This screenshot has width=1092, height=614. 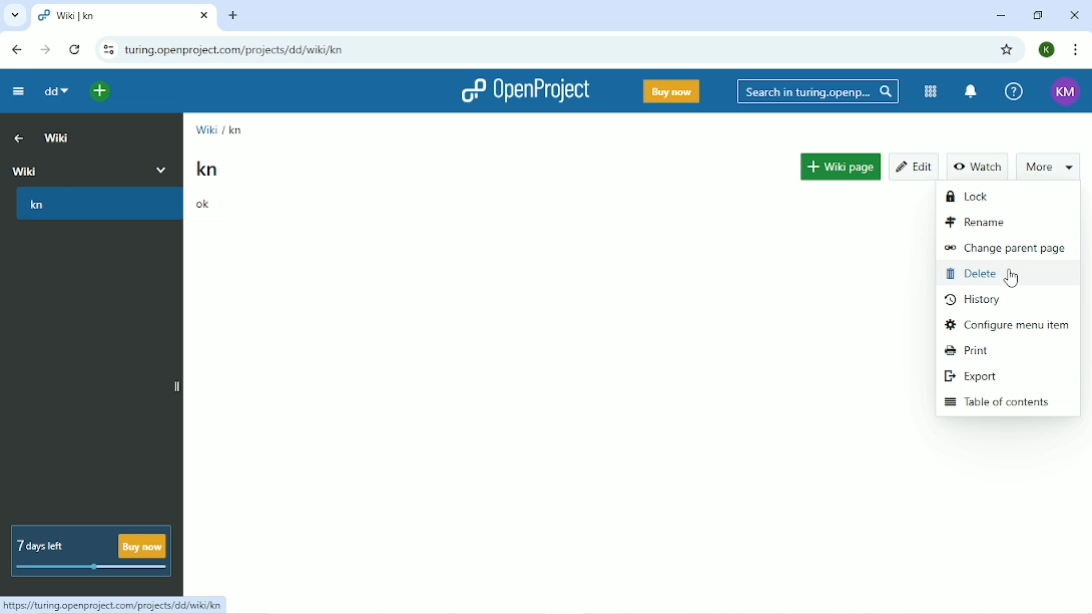 I want to click on Print, so click(x=970, y=350).